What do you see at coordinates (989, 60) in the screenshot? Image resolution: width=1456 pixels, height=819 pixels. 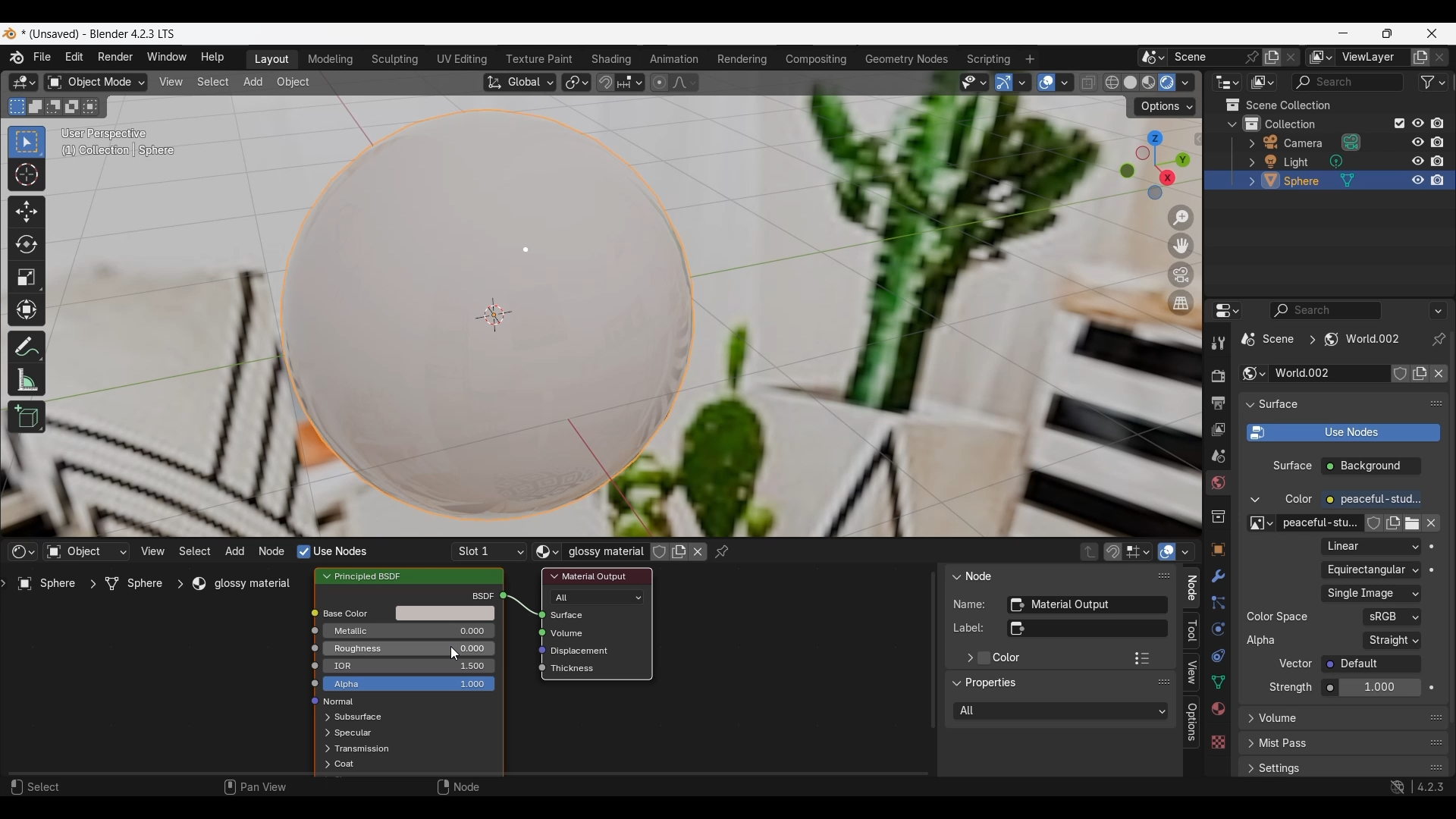 I see `Scripting workspace` at bounding box center [989, 60].